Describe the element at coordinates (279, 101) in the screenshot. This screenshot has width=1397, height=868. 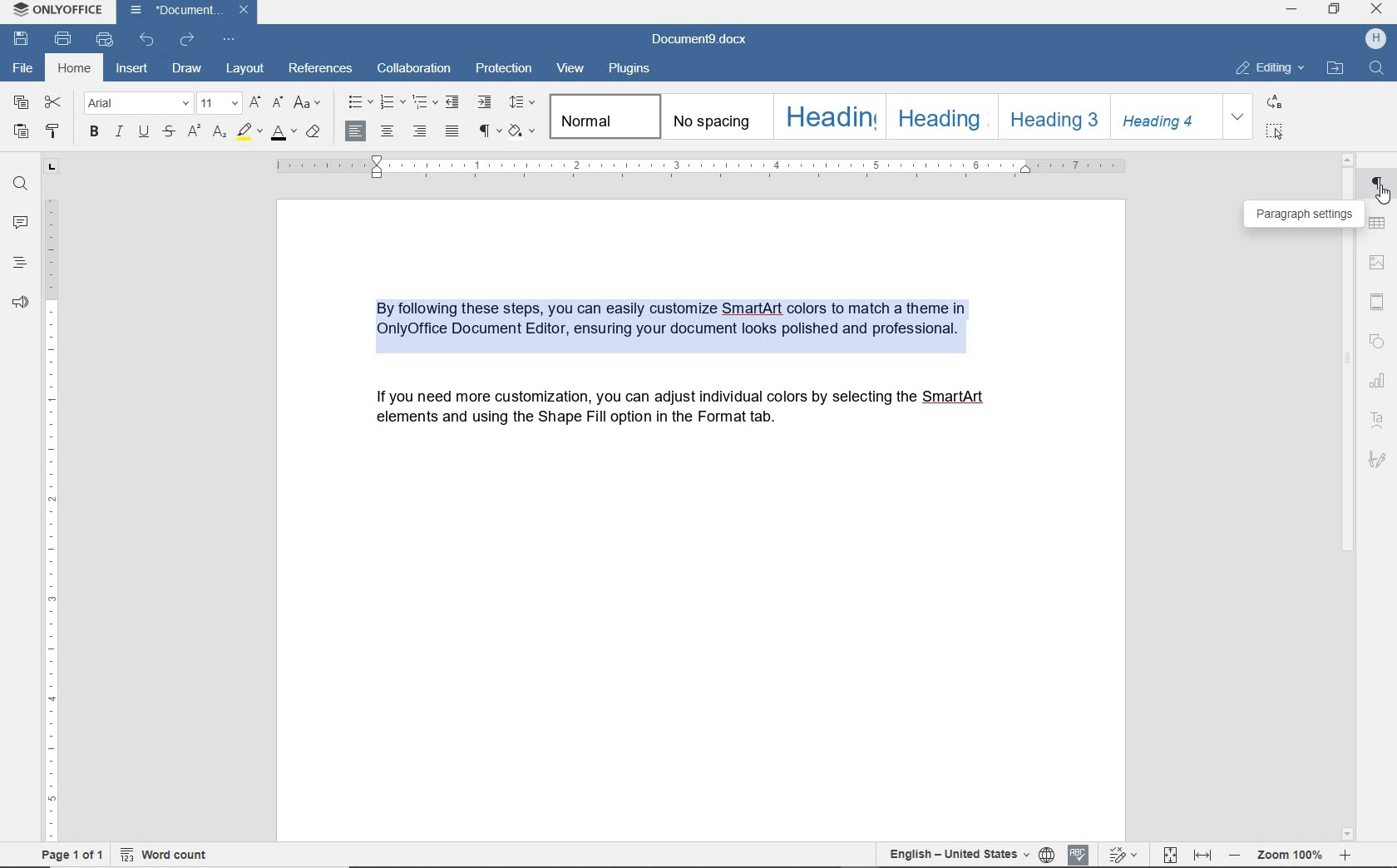
I see `decrement font size` at that location.